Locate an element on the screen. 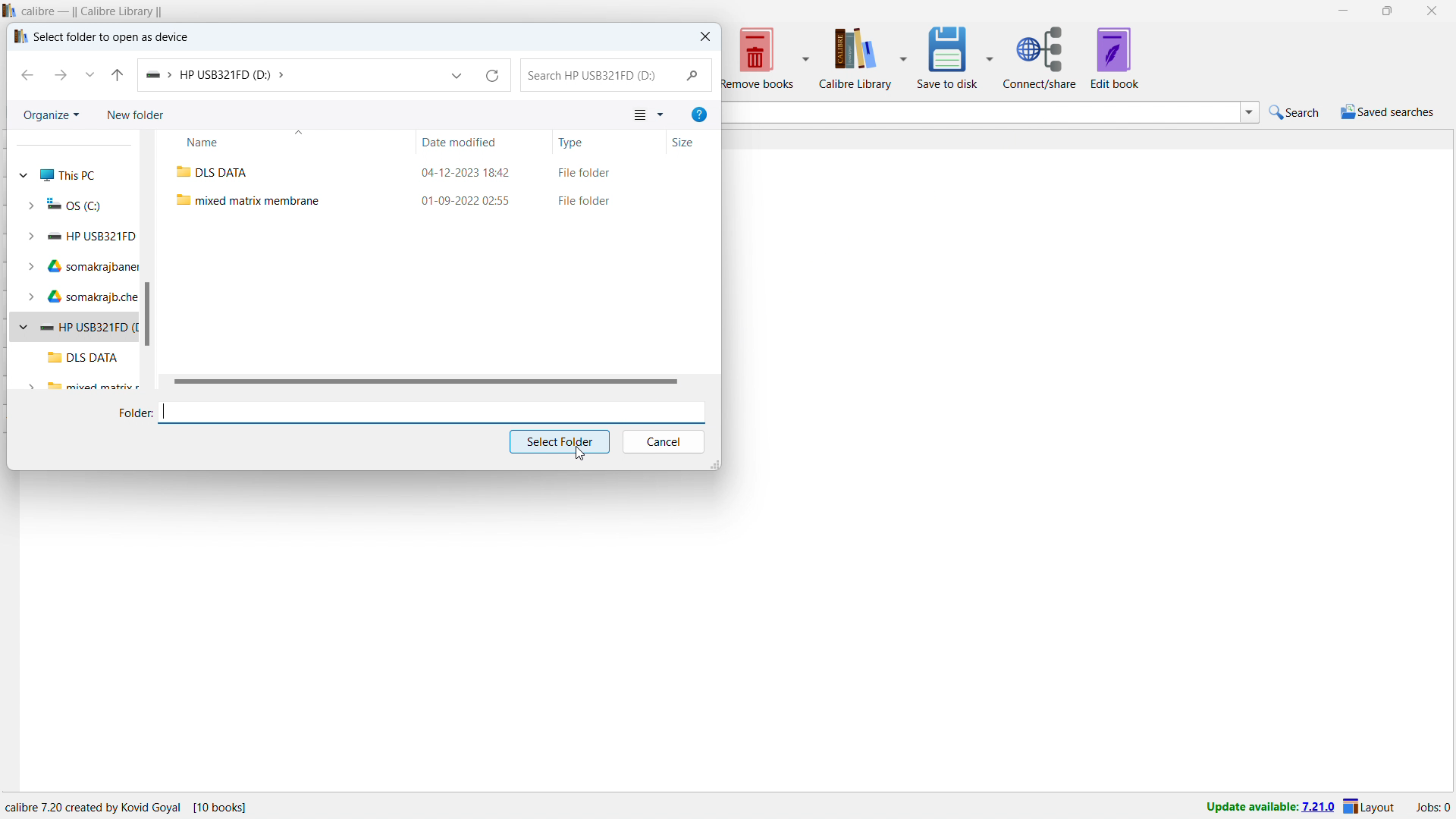 Image resolution: width=1456 pixels, height=819 pixels. sort by type is located at coordinates (609, 140).